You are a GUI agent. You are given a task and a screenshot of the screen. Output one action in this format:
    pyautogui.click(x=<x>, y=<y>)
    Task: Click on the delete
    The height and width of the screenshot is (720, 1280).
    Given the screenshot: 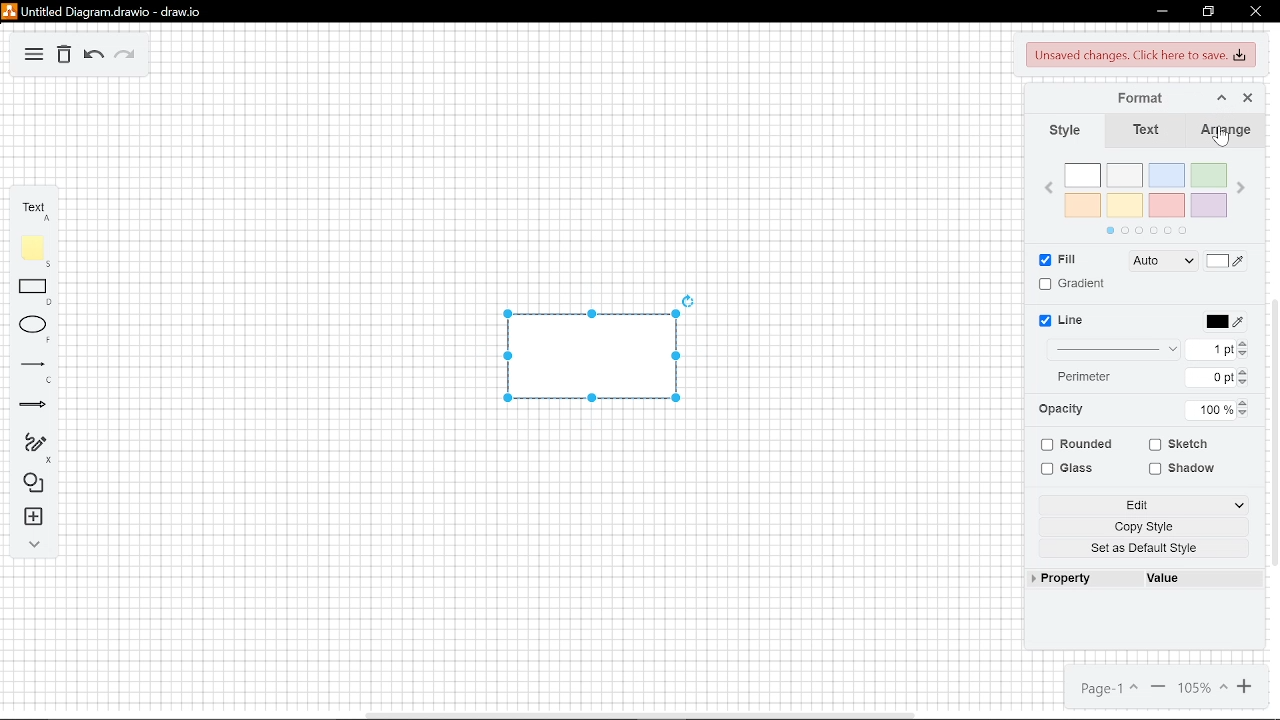 What is the action you would take?
    pyautogui.click(x=65, y=58)
    